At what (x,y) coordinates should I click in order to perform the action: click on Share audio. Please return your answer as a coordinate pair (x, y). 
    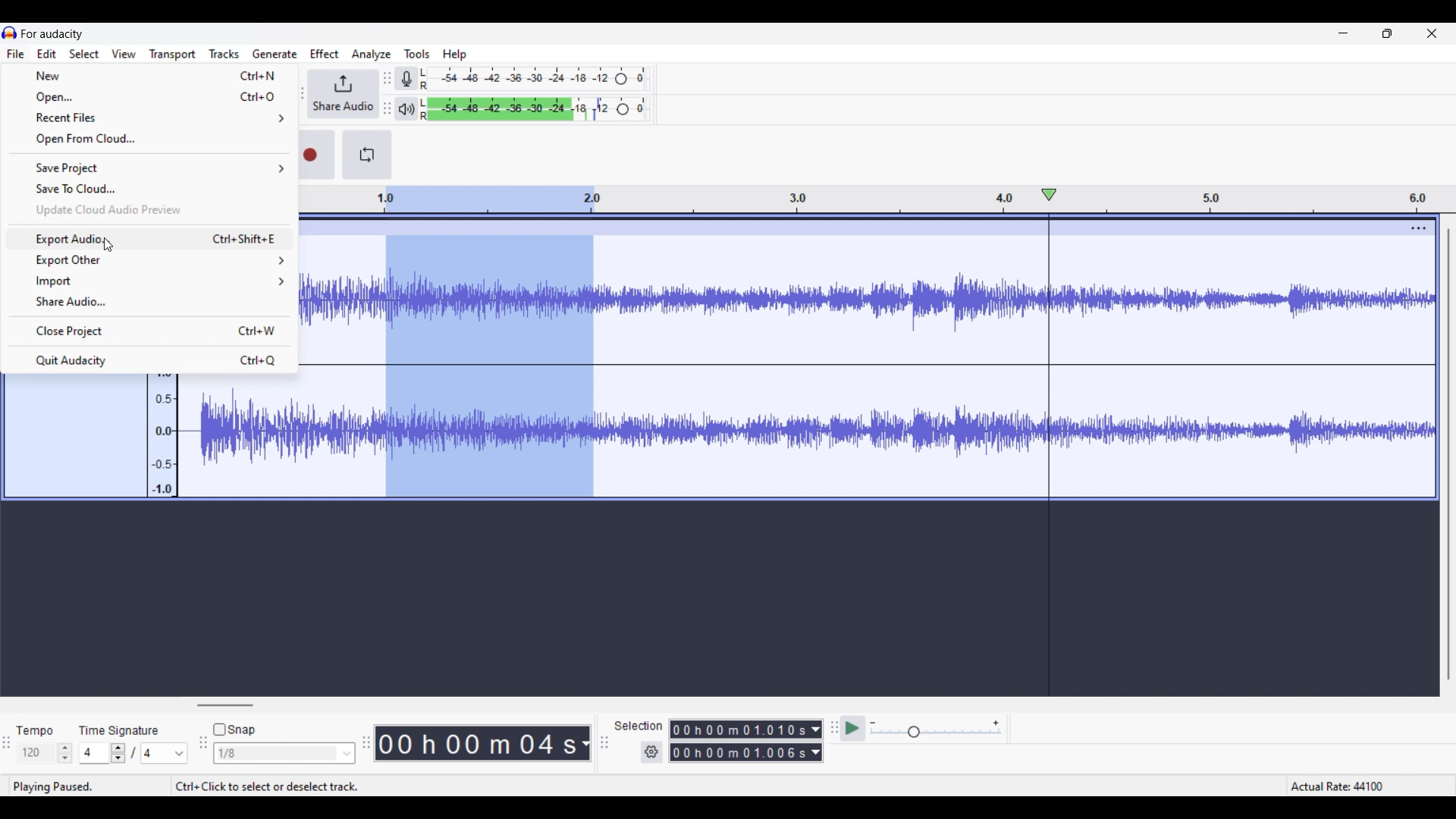
    Looking at the image, I should click on (150, 302).